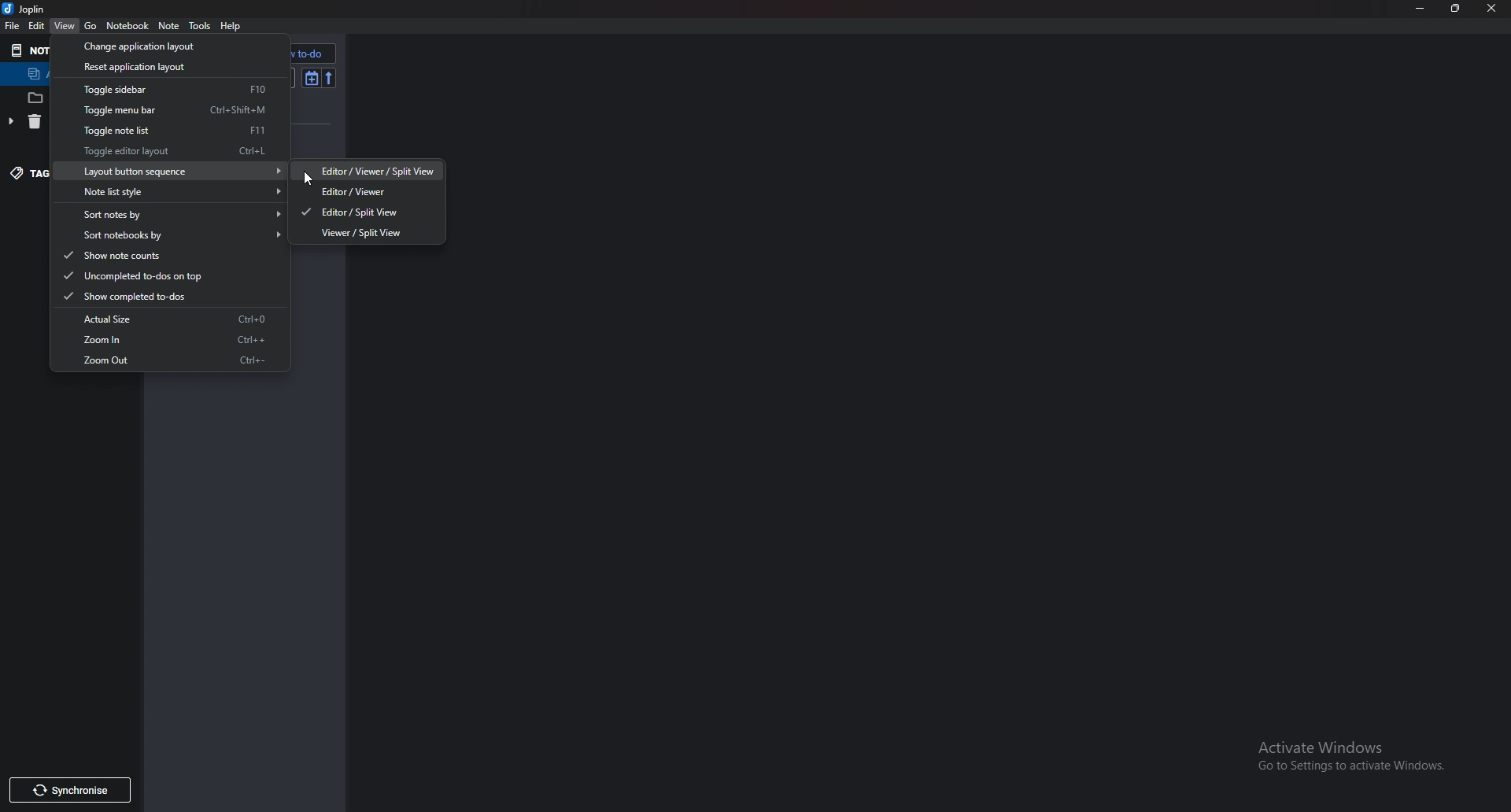 The image size is (1511, 812). Describe the element at coordinates (156, 296) in the screenshot. I see `Show completed to dos` at that location.